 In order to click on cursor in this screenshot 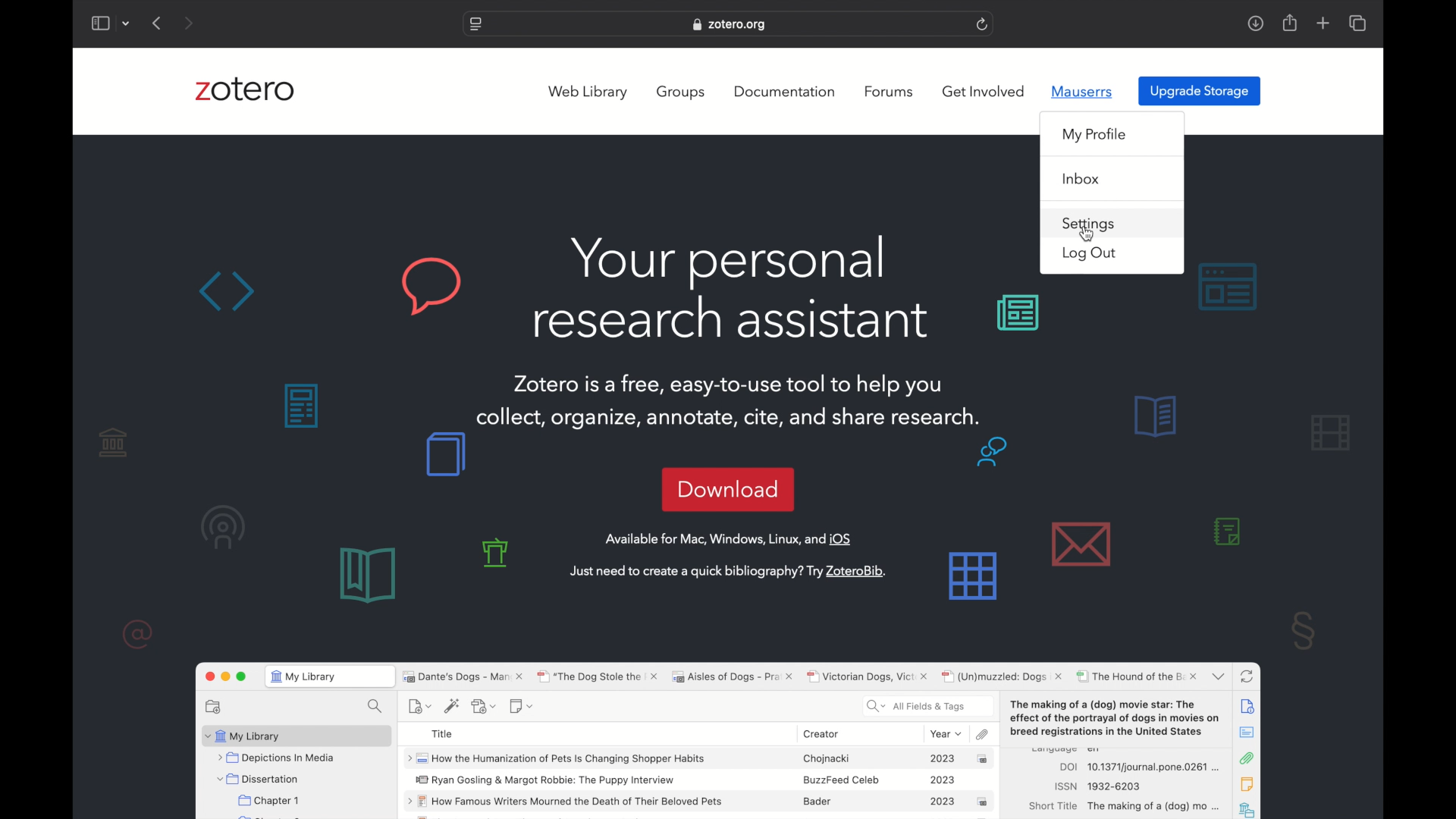, I will do `click(1087, 234)`.